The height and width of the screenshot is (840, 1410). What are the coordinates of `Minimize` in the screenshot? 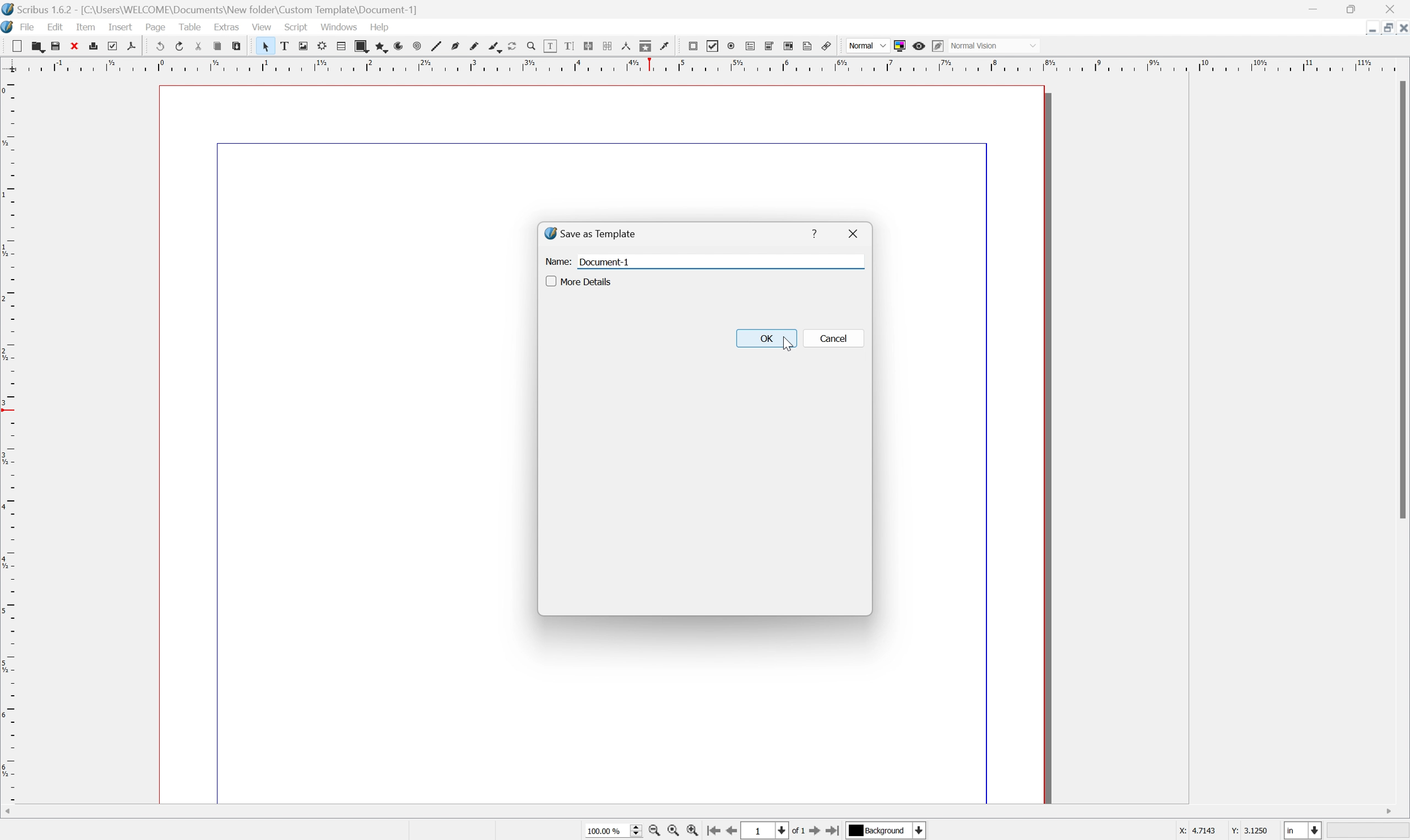 It's located at (1315, 10).